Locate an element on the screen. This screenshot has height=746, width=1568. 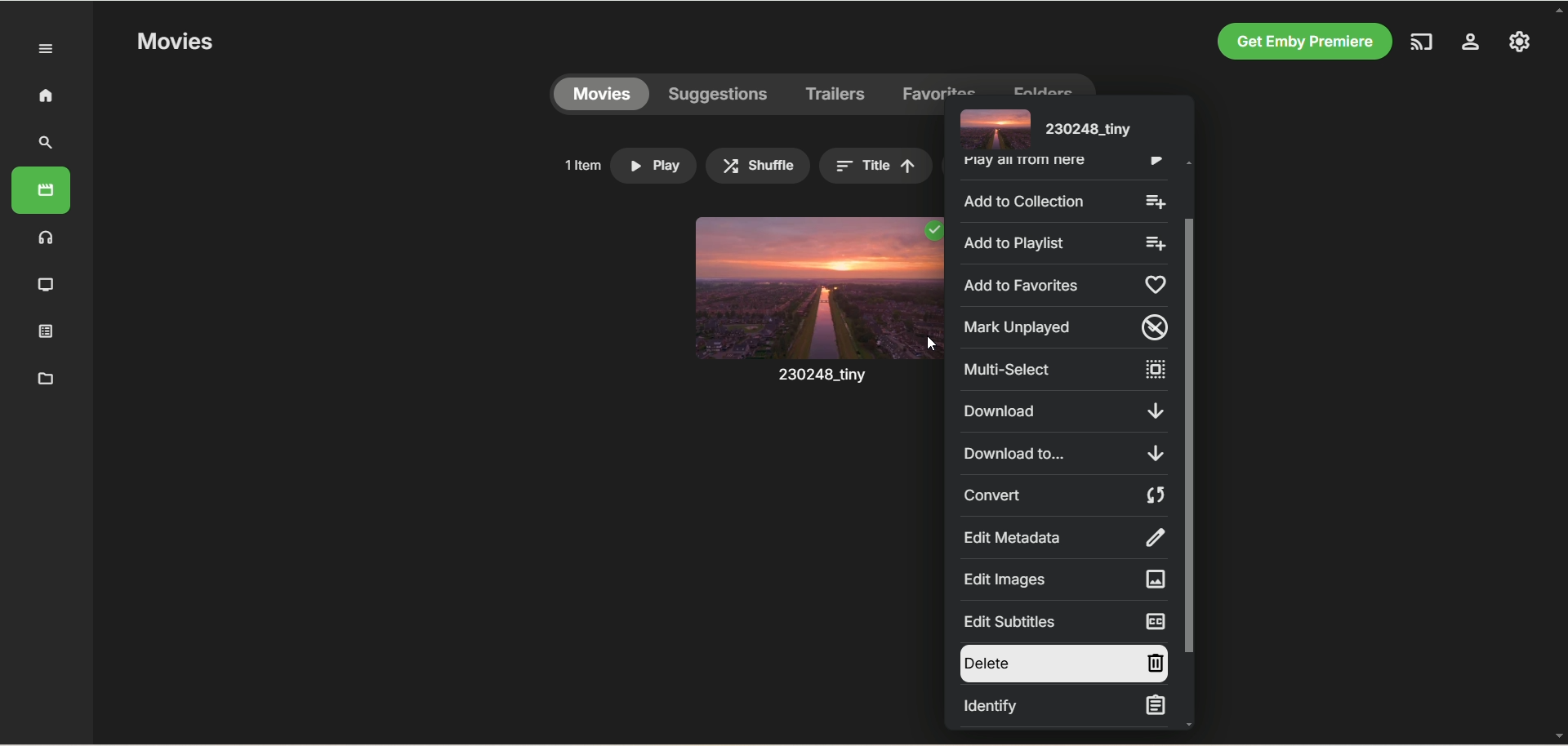
multi-select is located at coordinates (1063, 370).